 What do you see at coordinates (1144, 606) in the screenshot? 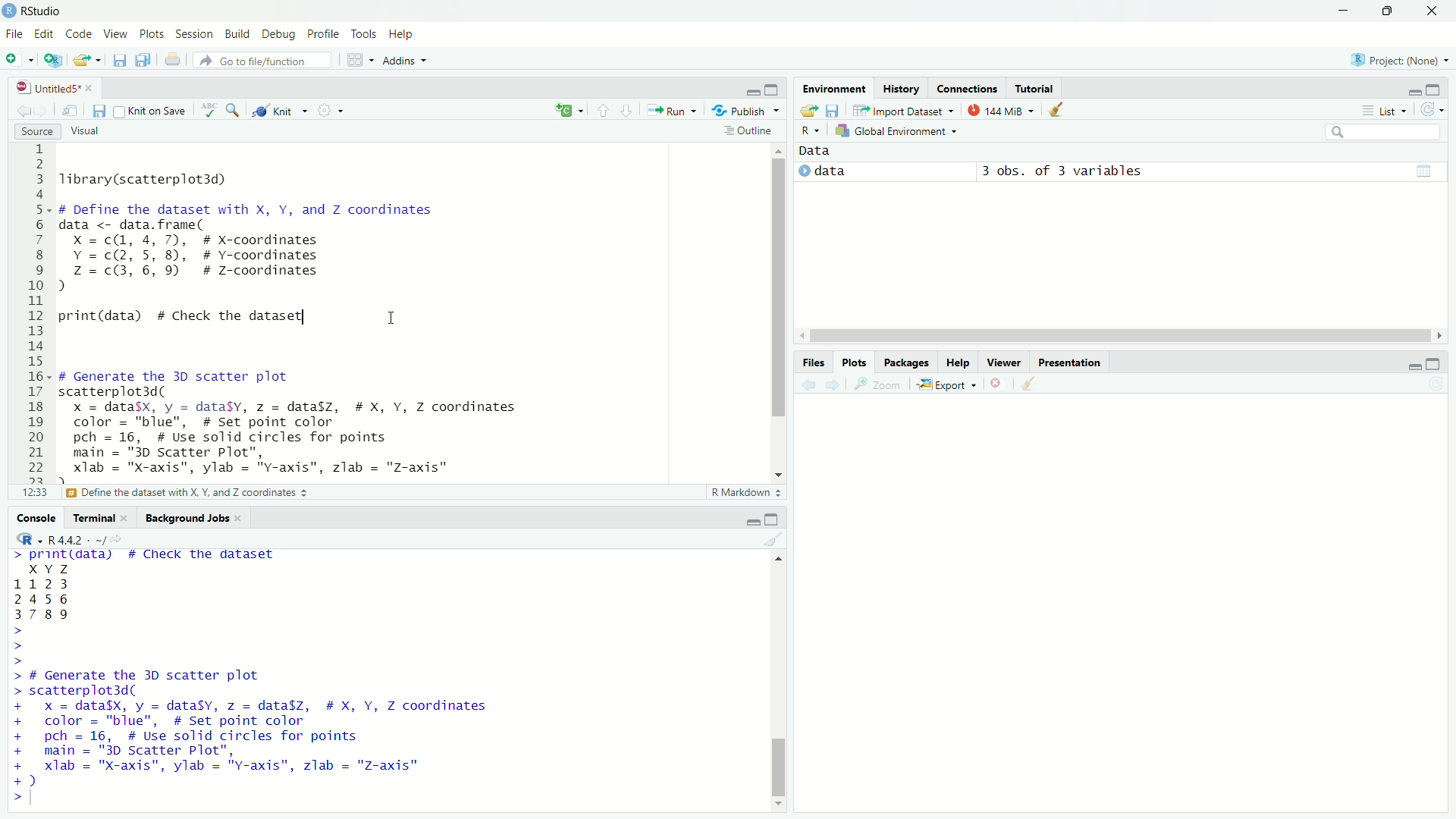
I see `empty plot area` at bounding box center [1144, 606].